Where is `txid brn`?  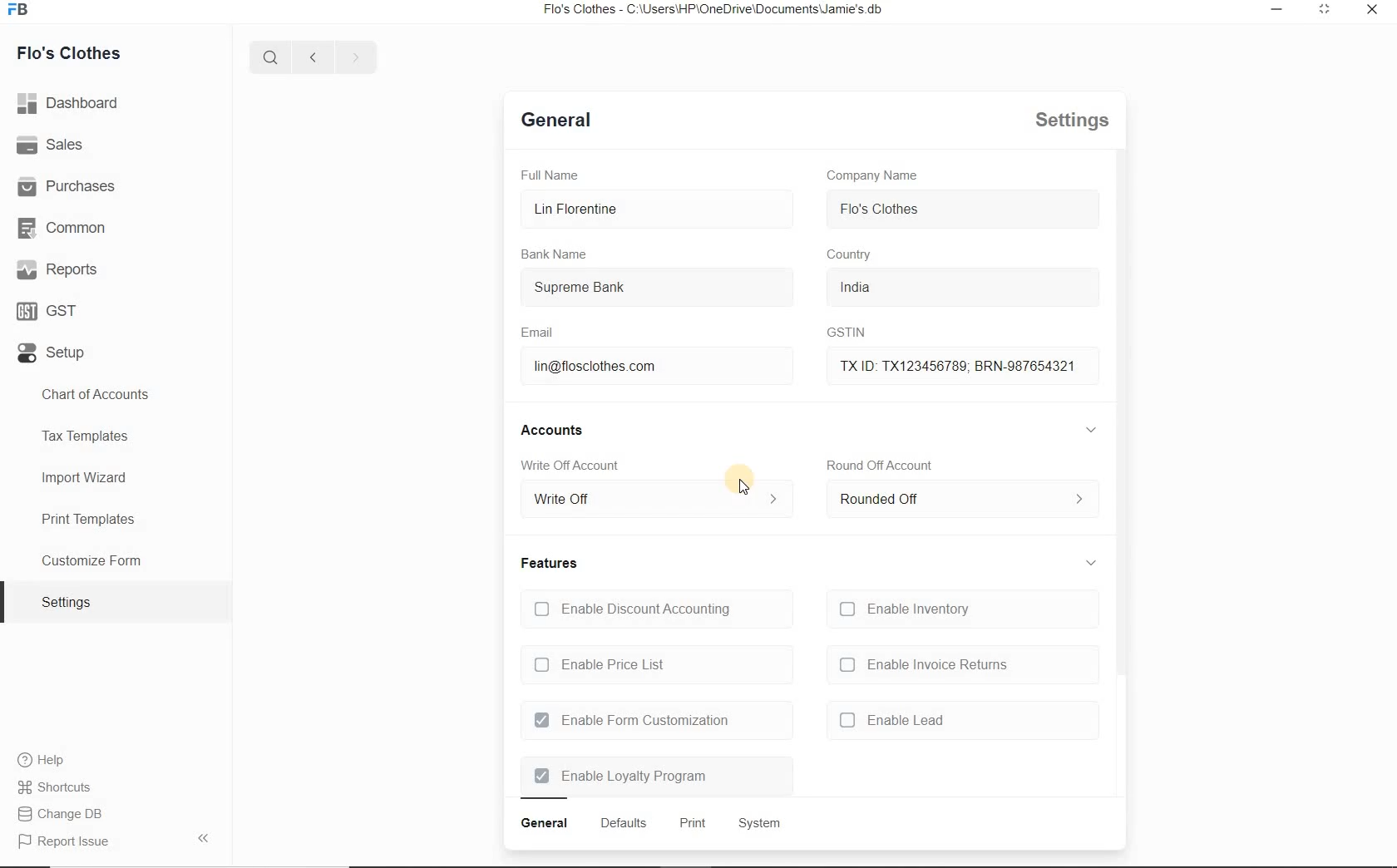
txid brn is located at coordinates (949, 364).